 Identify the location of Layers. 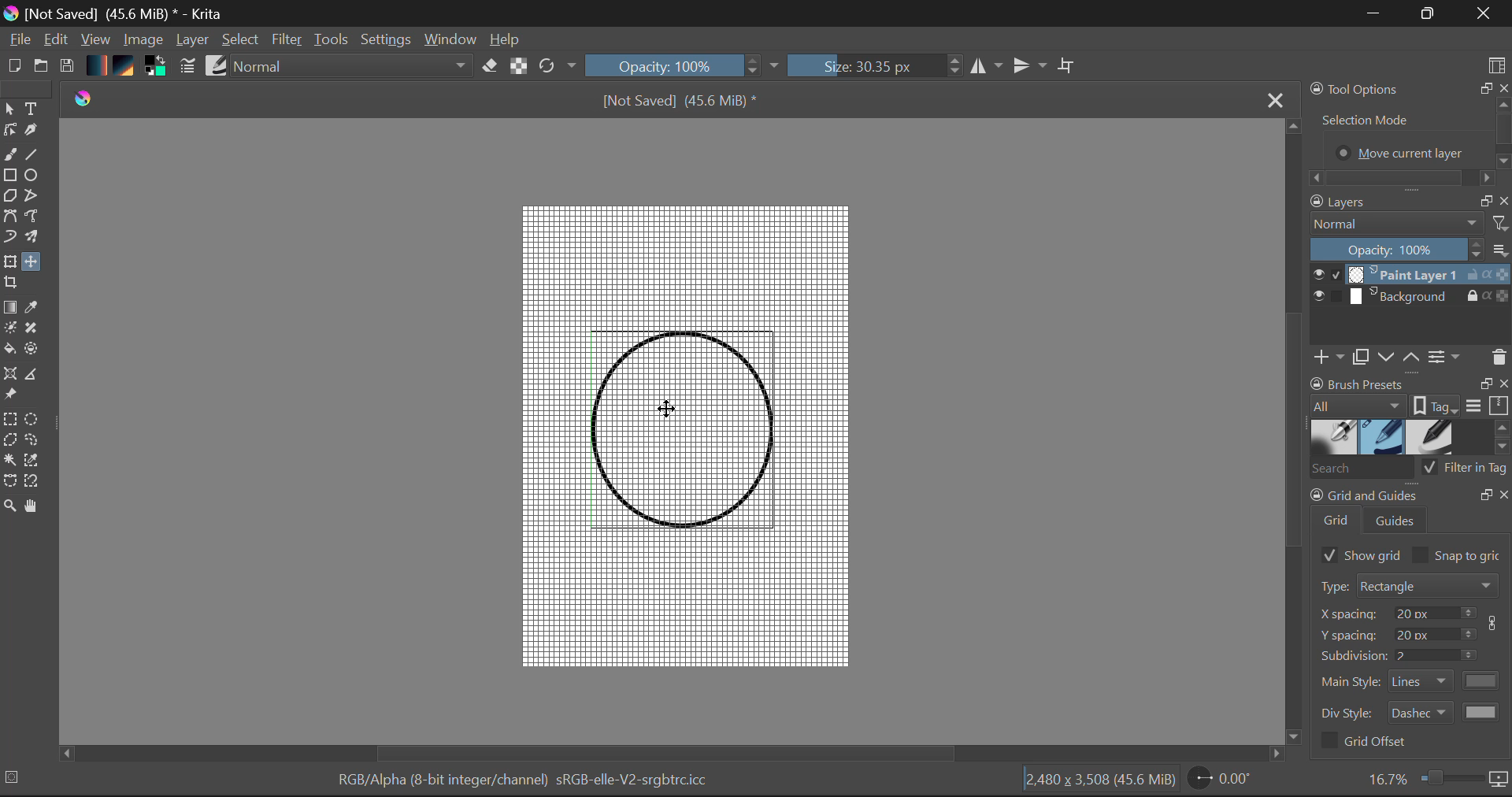
(1411, 287).